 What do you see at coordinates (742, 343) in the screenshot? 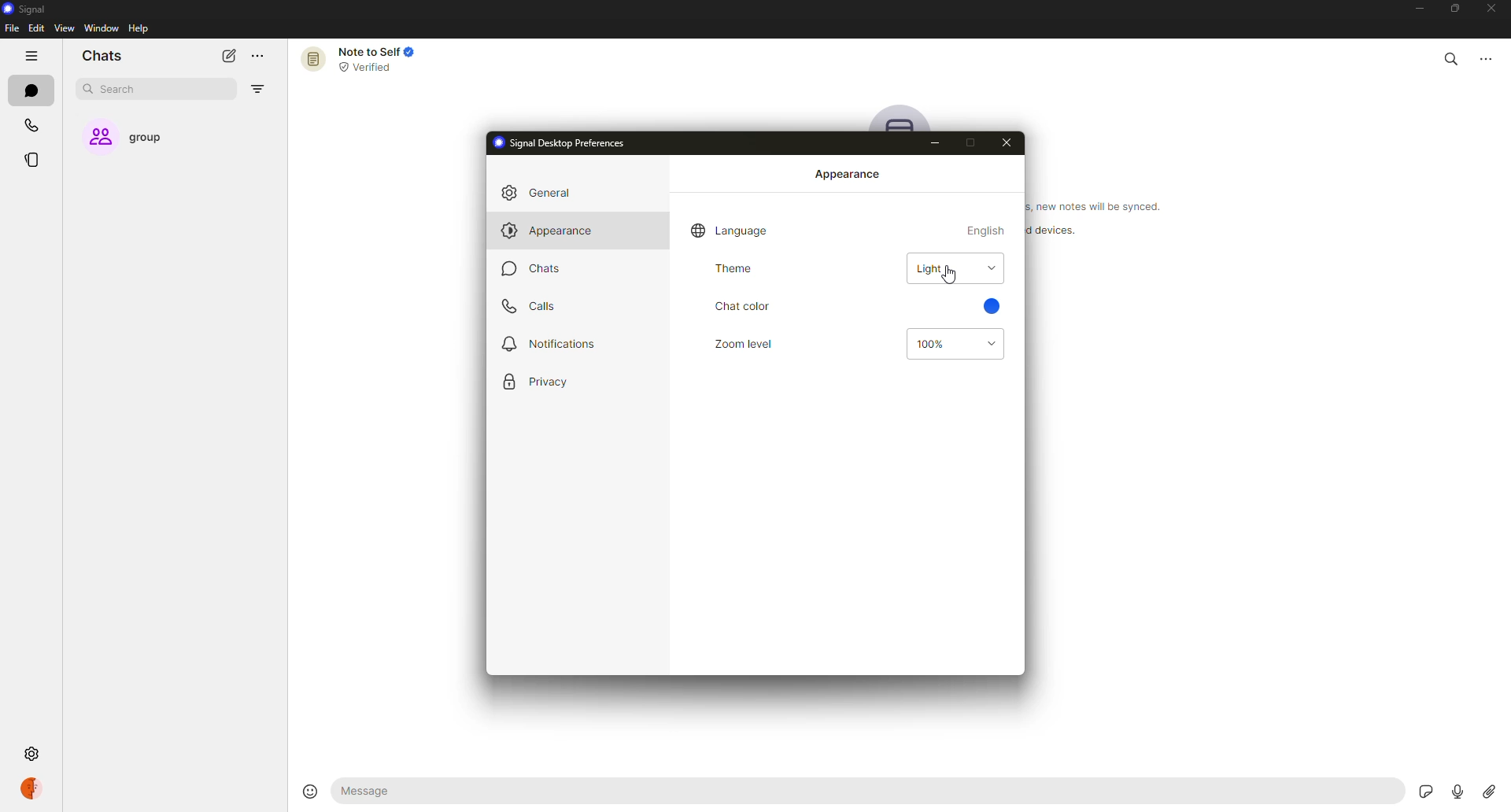
I see `zoom level` at bounding box center [742, 343].